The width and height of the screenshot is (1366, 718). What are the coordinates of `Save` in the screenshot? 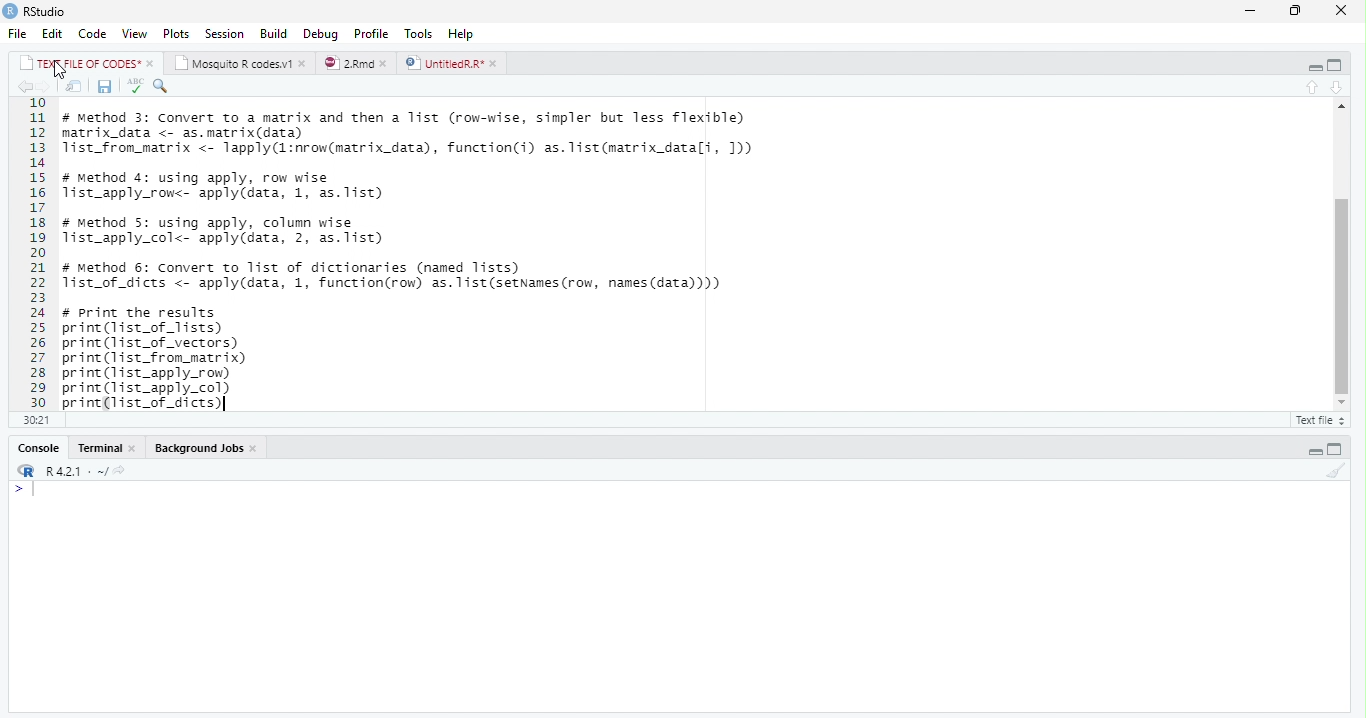 It's located at (103, 87).